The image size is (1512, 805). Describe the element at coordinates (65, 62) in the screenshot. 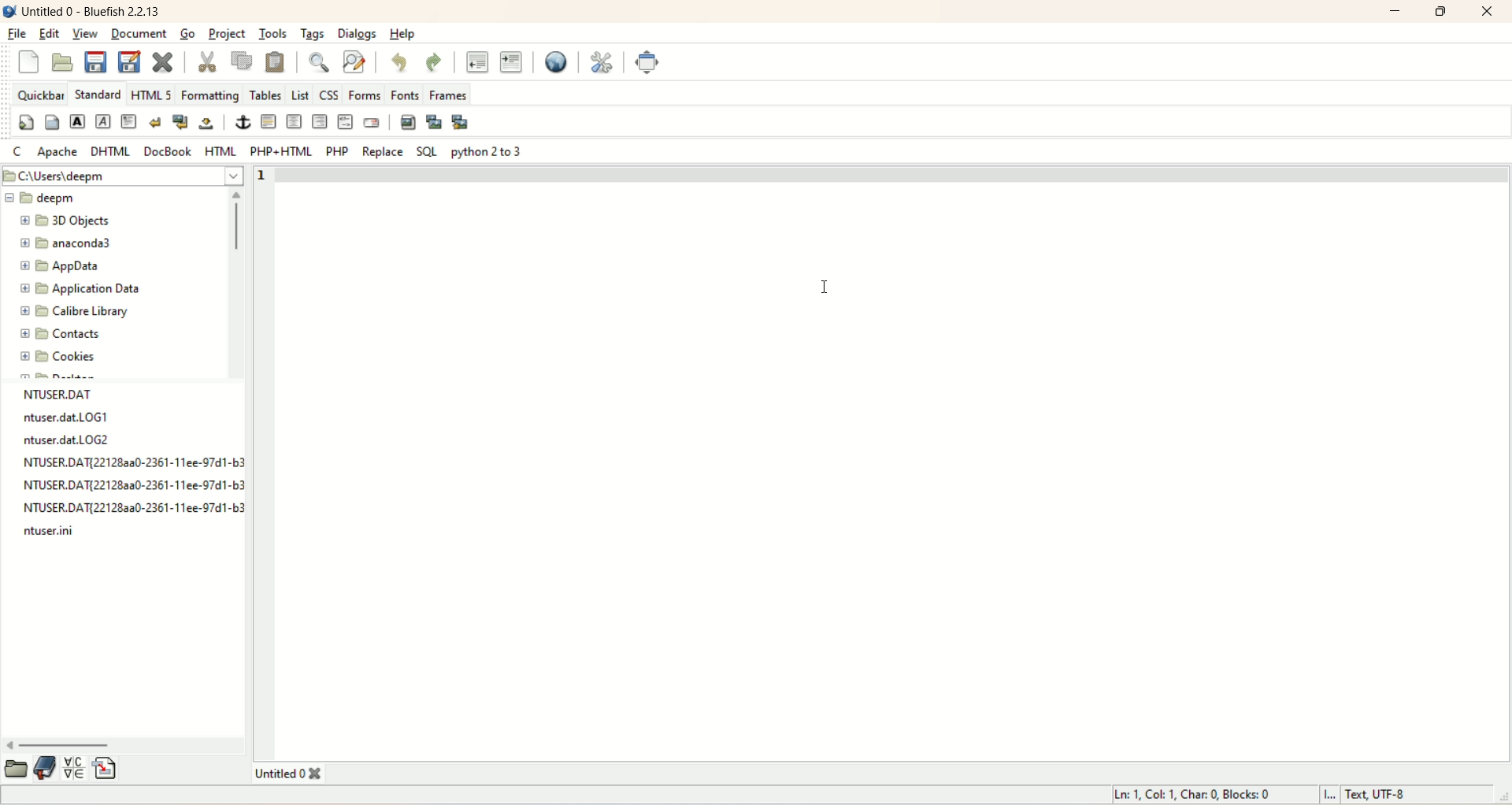

I see `open file` at that location.